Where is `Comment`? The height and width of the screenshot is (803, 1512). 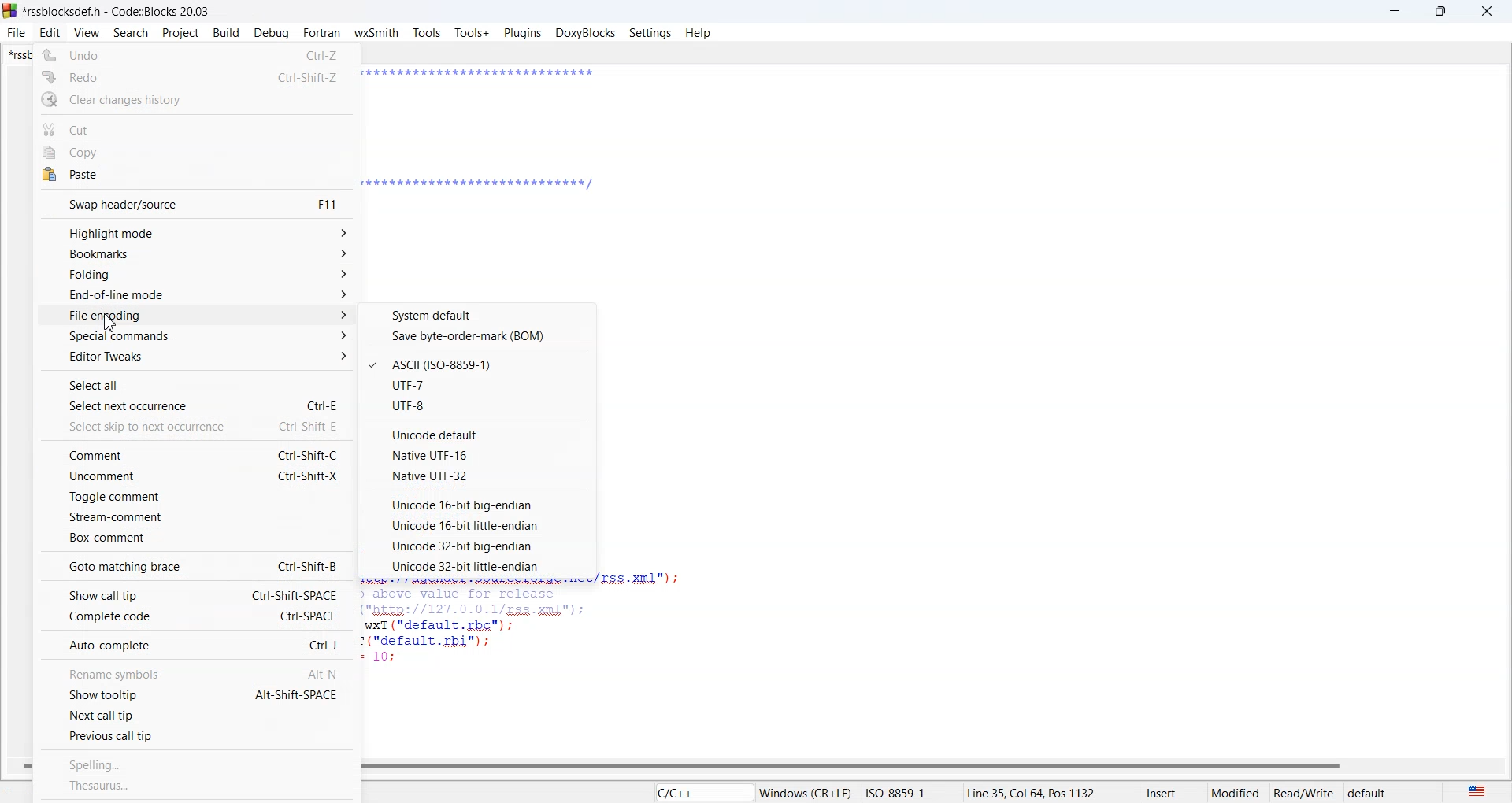
Comment is located at coordinates (196, 453).